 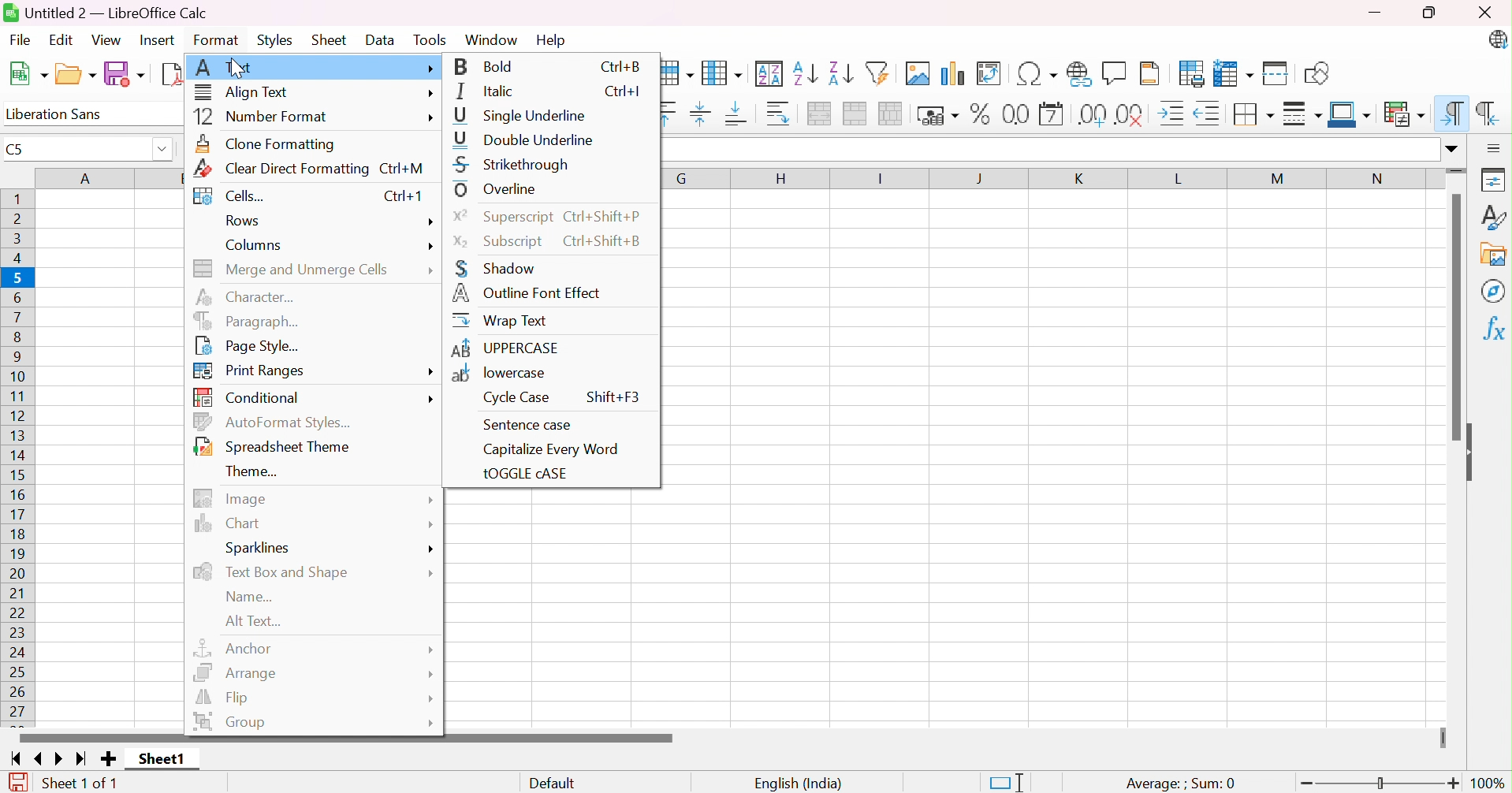 What do you see at coordinates (158, 41) in the screenshot?
I see `Insert` at bounding box center [158, 41].